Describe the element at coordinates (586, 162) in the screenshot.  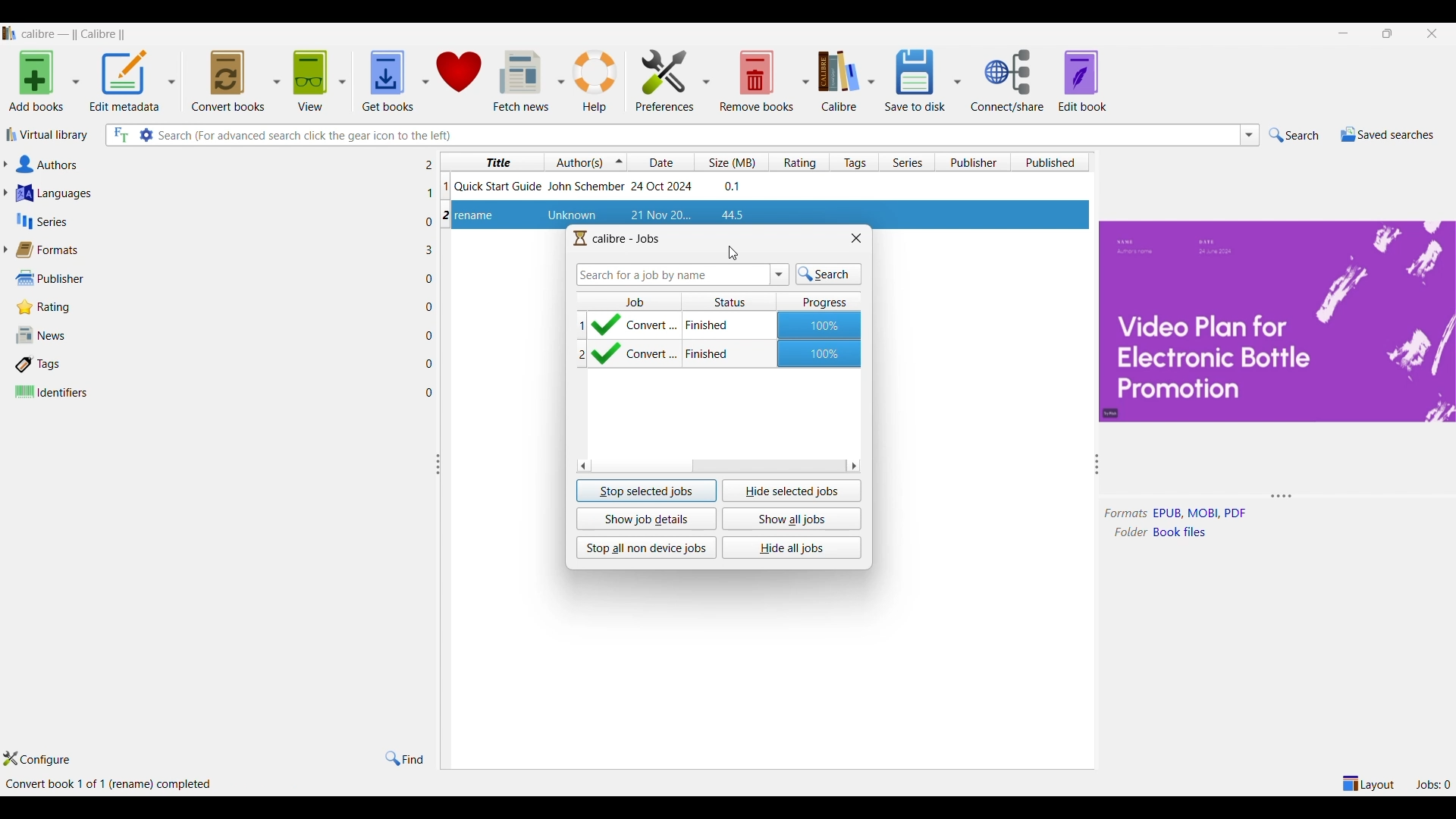
I see `Authors column, current sorting` at that location.